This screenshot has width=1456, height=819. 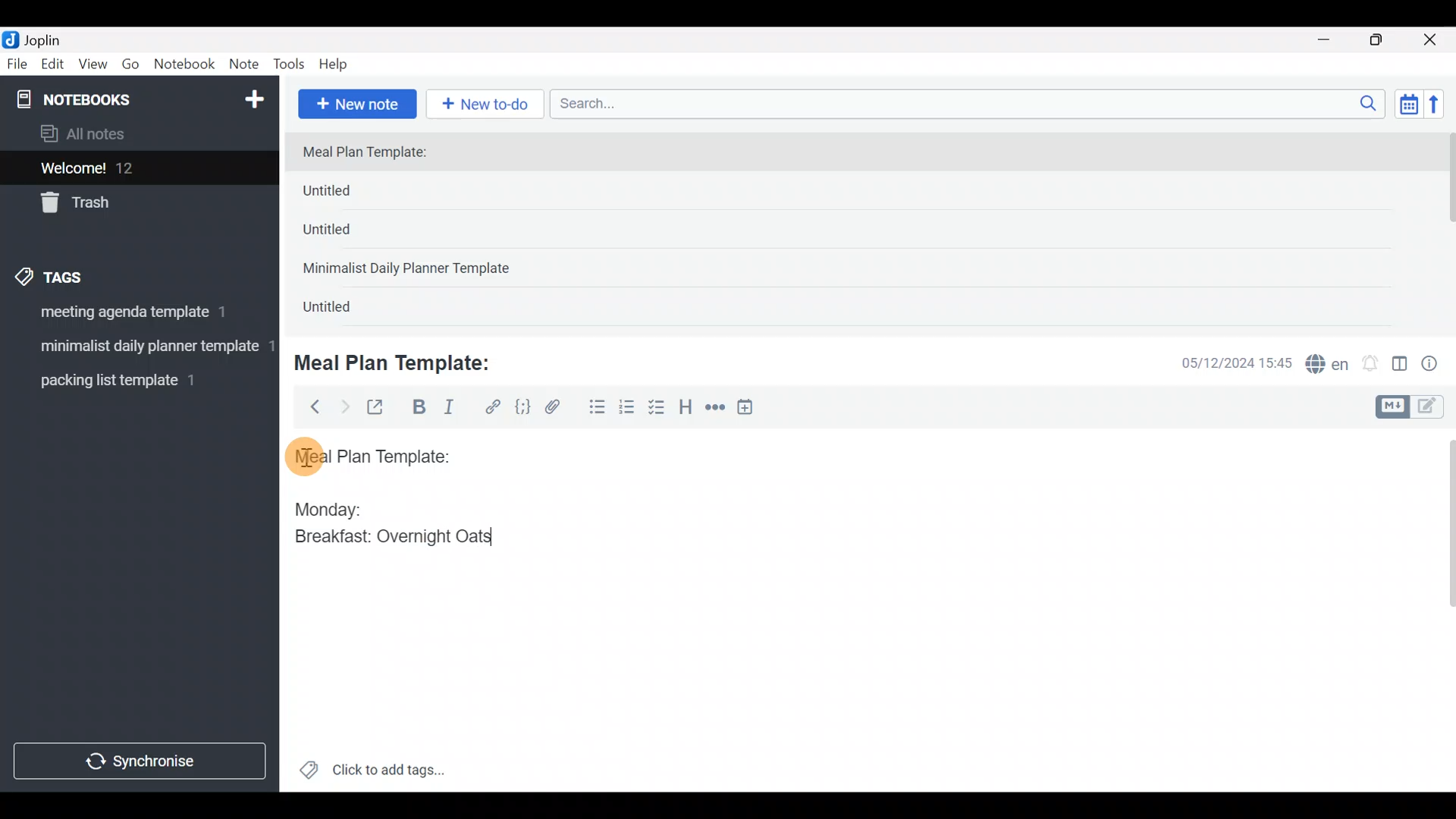 What do you see at coordinates (594, 408) in the screenshot?
I see `Bulleted list` at bounding box center [594, 408].